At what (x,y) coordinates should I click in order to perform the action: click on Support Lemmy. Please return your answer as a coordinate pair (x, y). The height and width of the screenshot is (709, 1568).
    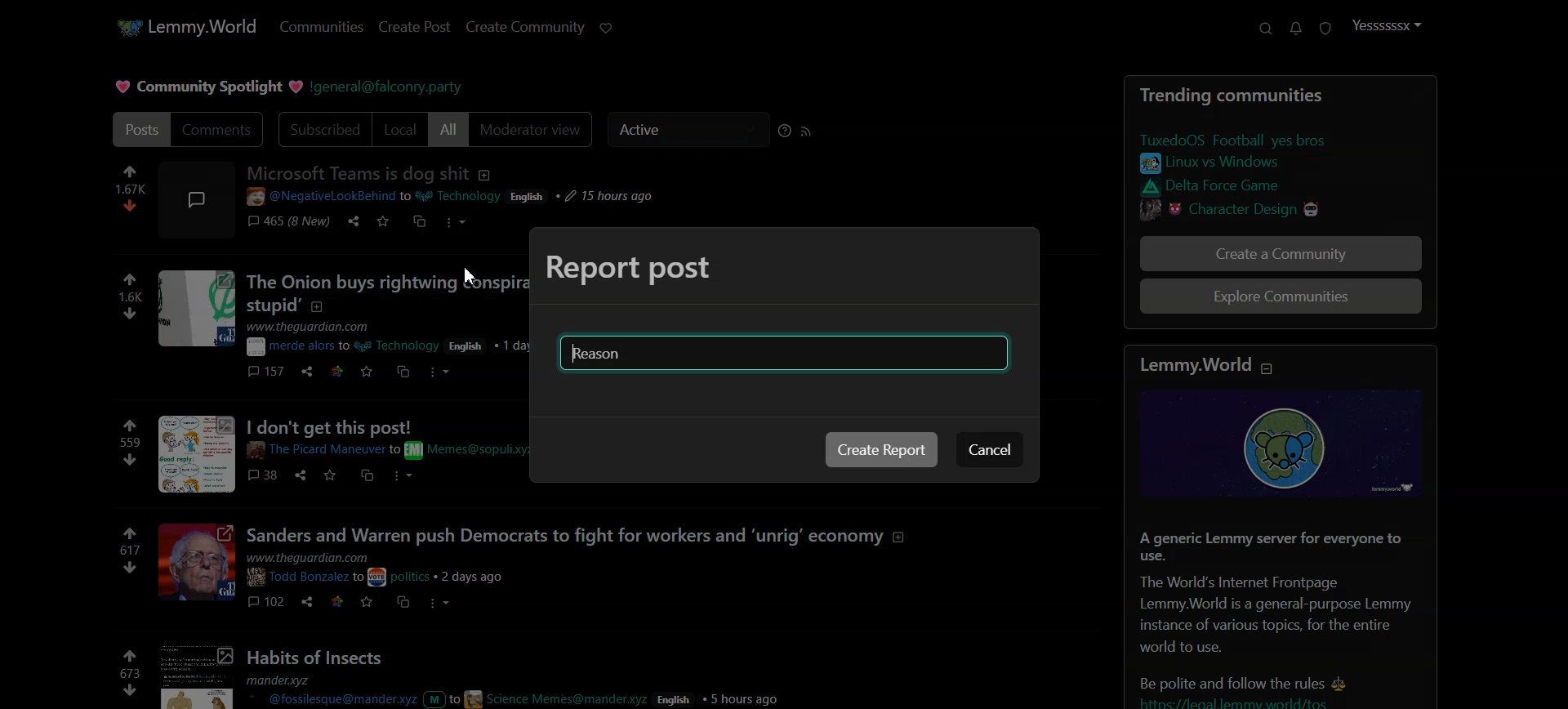
    Looking at the image, I should click on (606, 29).